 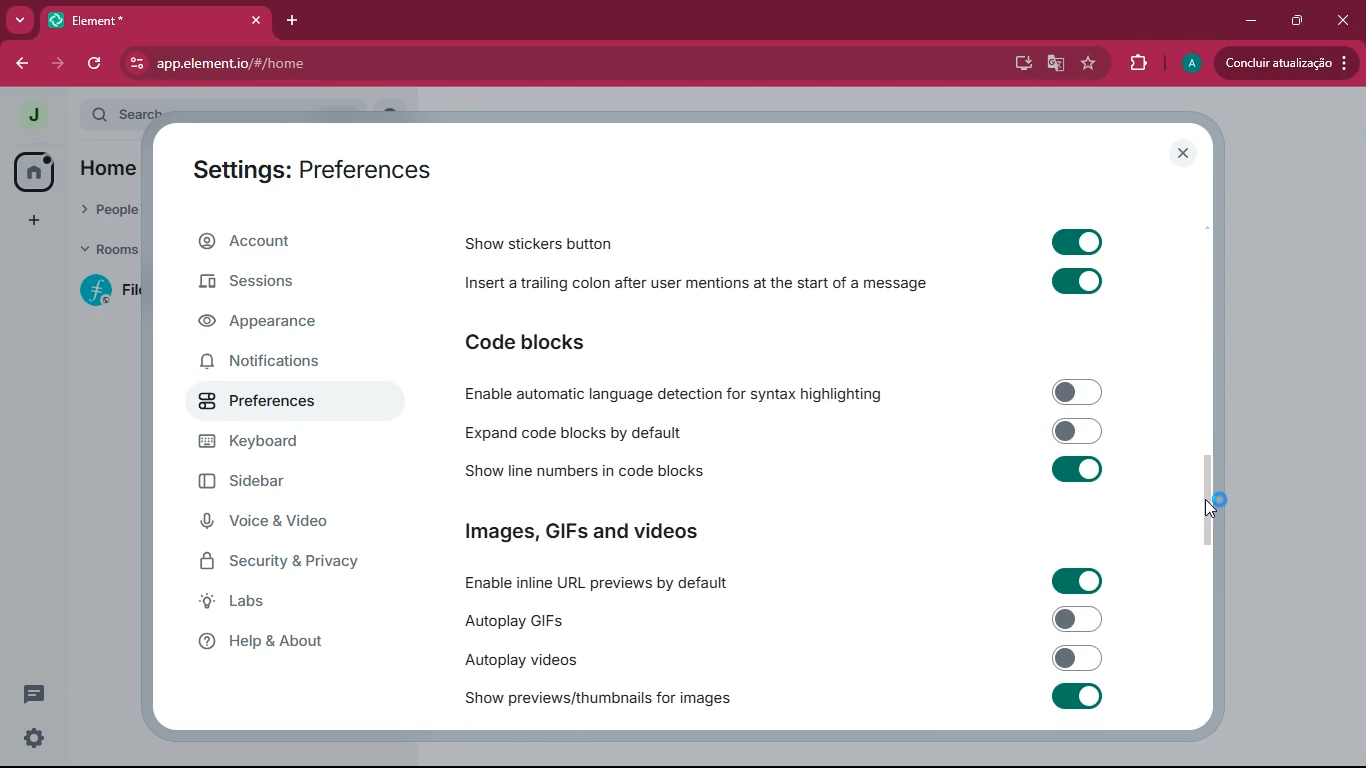 I want to click on Insert a trailing colon after user mentions at the start of a message, so click(x=697, y=285).